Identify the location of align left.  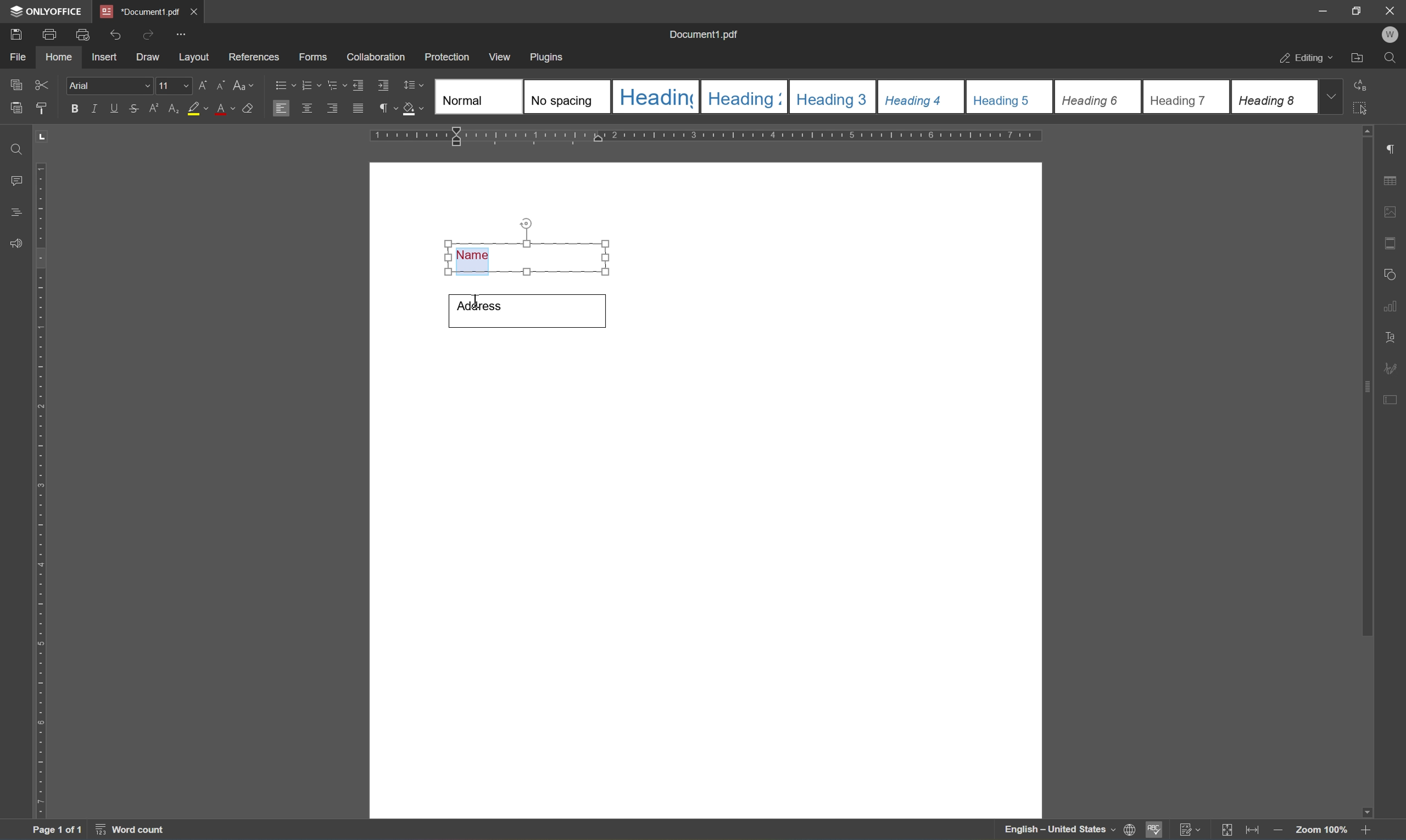
(280, 107).